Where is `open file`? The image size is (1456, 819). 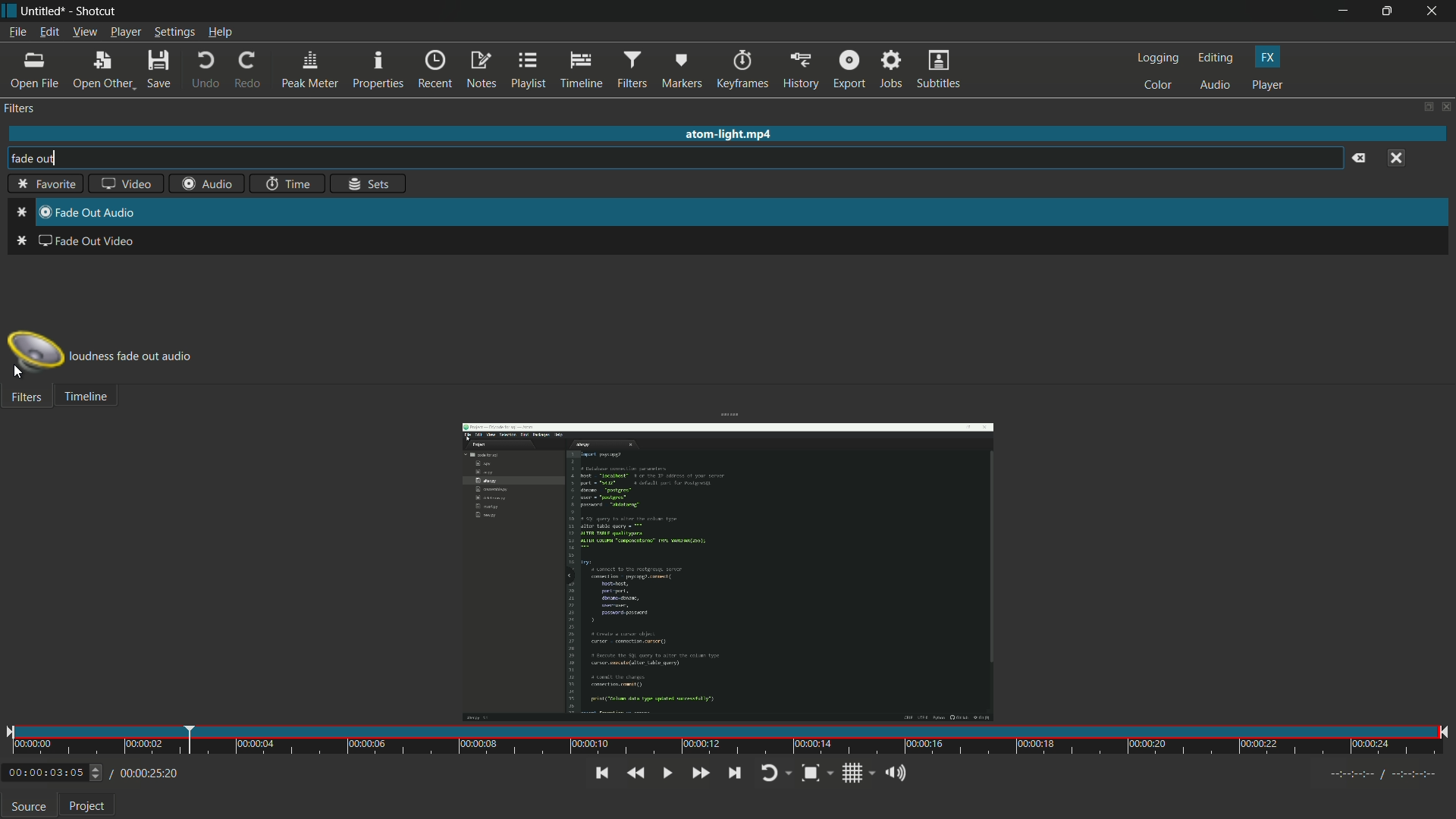
open file is located at coordinates (37, 71).